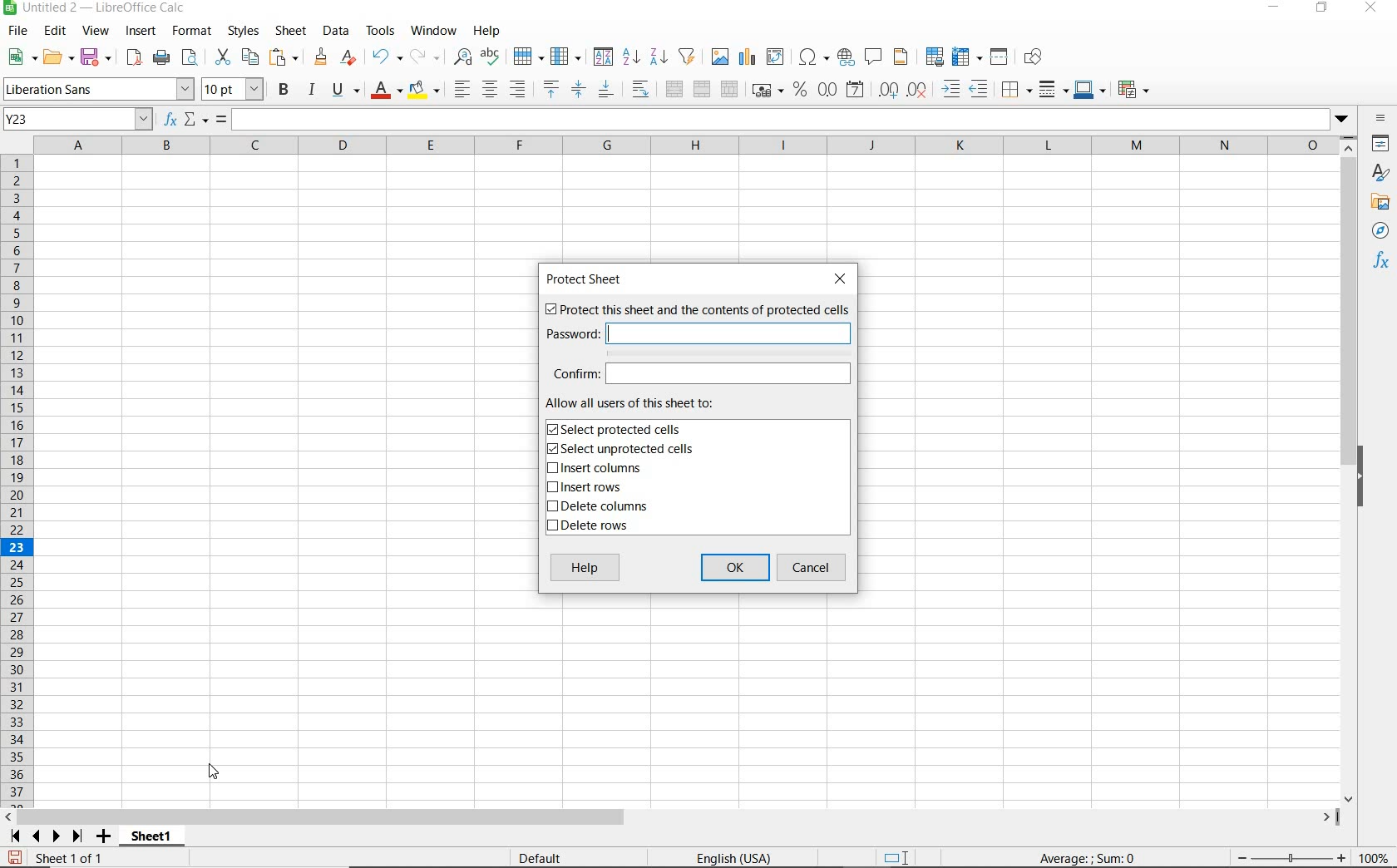  What do you see at coordinates (47, 836) in the screenshot?
I see `SCROLL TO NEXT SHEET` at bounding box center [47, 836].